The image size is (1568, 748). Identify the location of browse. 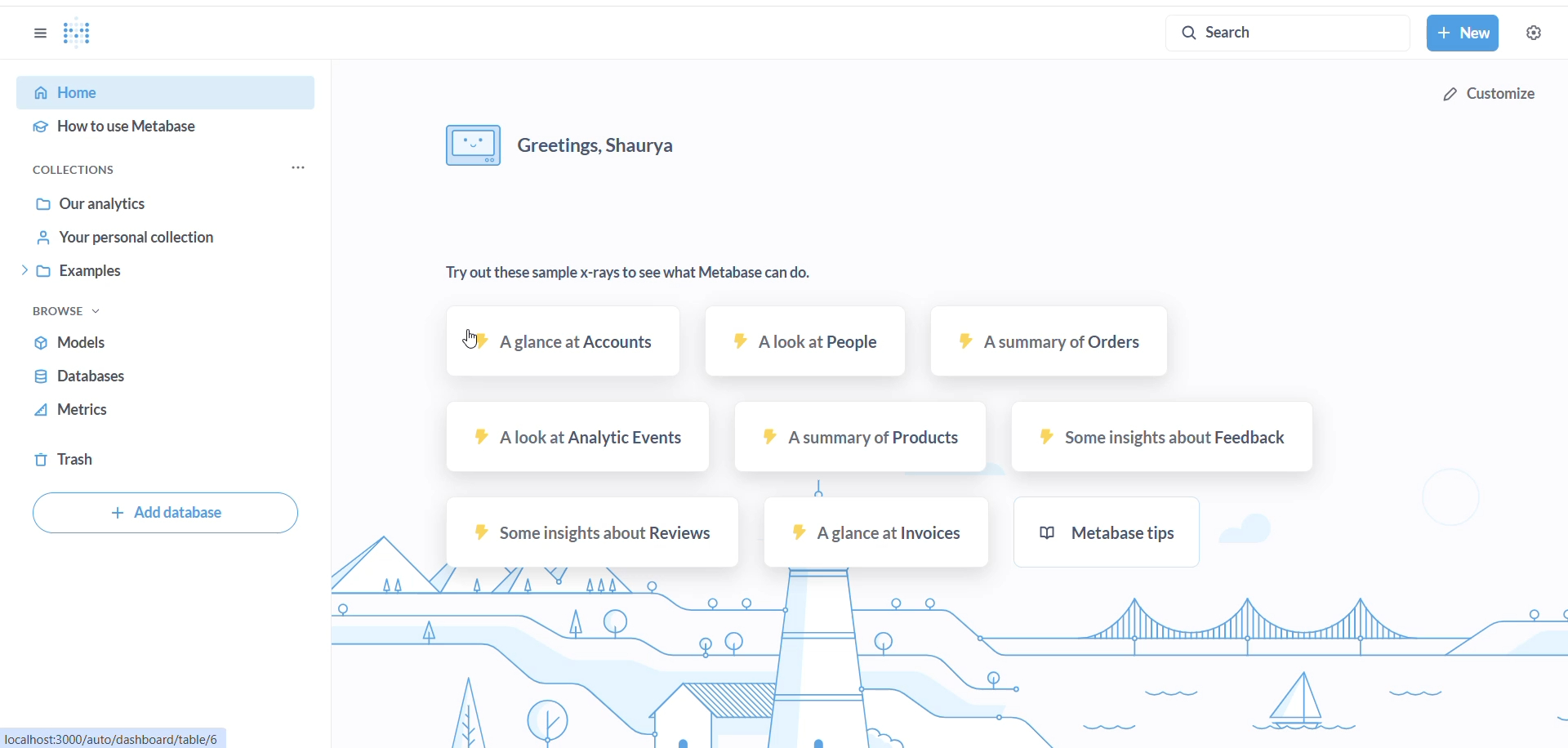
(63, 313).